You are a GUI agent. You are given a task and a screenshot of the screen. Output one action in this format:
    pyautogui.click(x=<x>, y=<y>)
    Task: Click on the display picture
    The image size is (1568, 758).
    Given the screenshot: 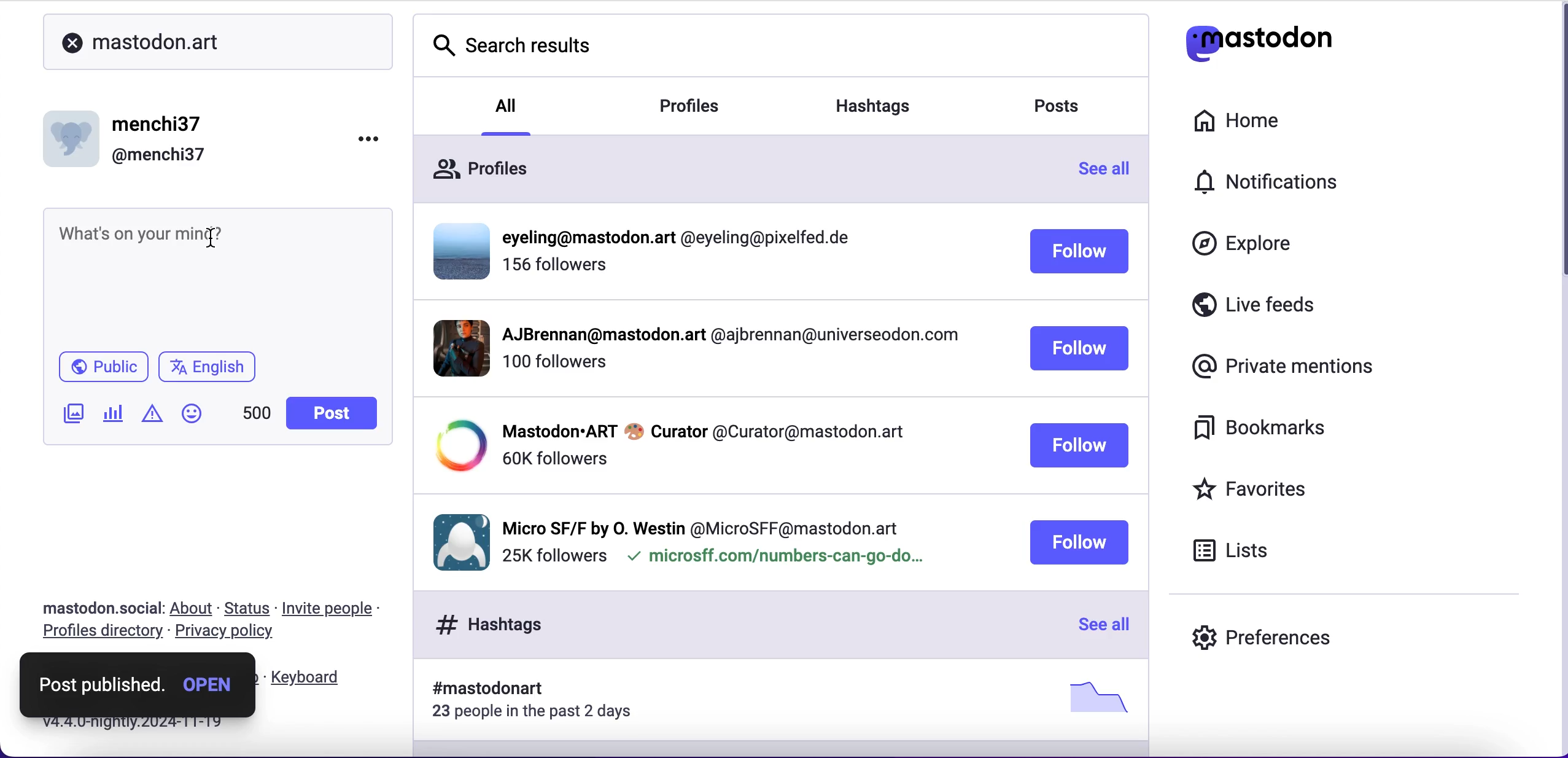 What is the action you would take?
    pyautogui.click(x=451, y=347)
    